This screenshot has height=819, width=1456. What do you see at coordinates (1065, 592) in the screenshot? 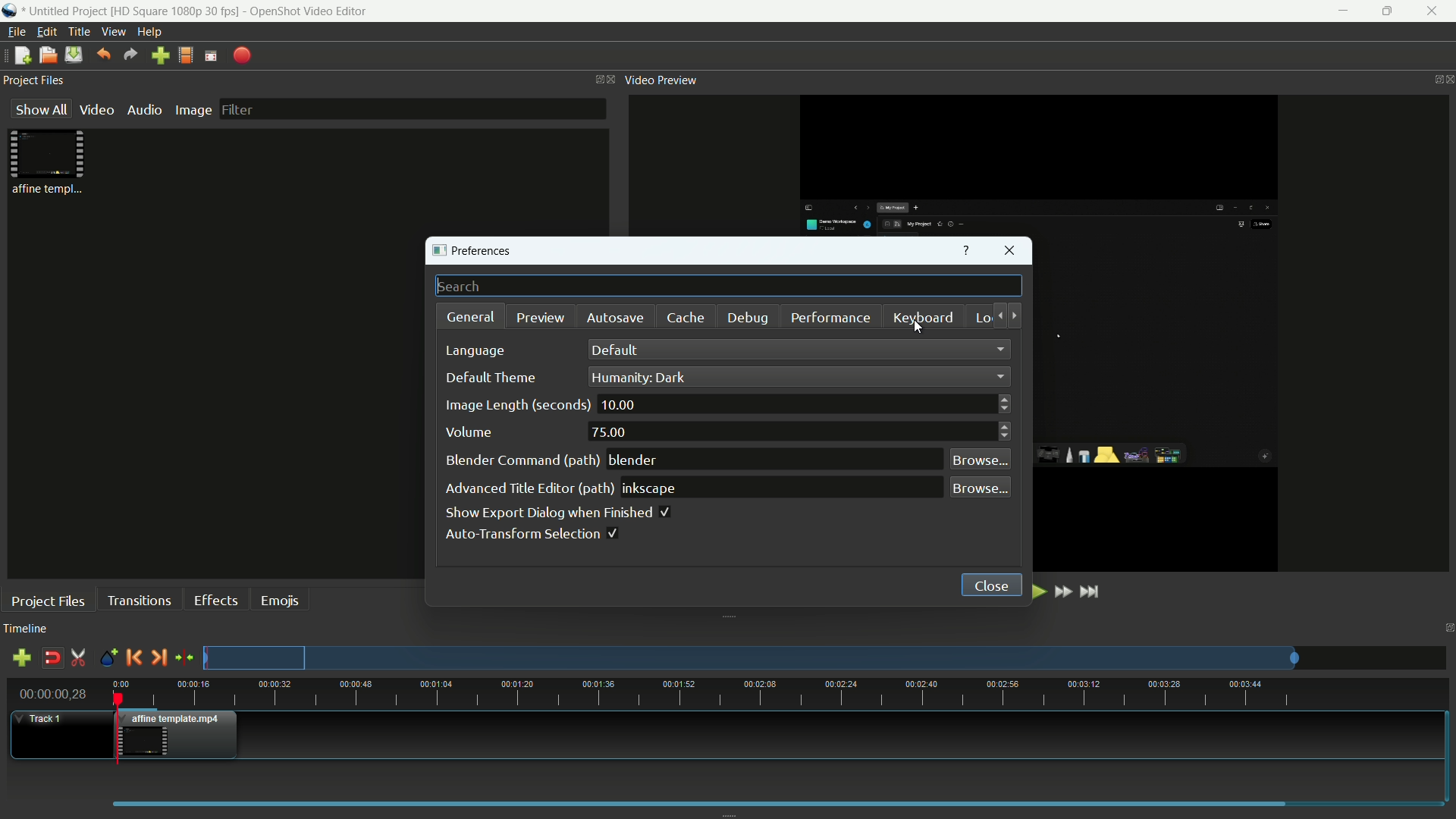
I see `fast forward` at bounding box center [1065, 592].